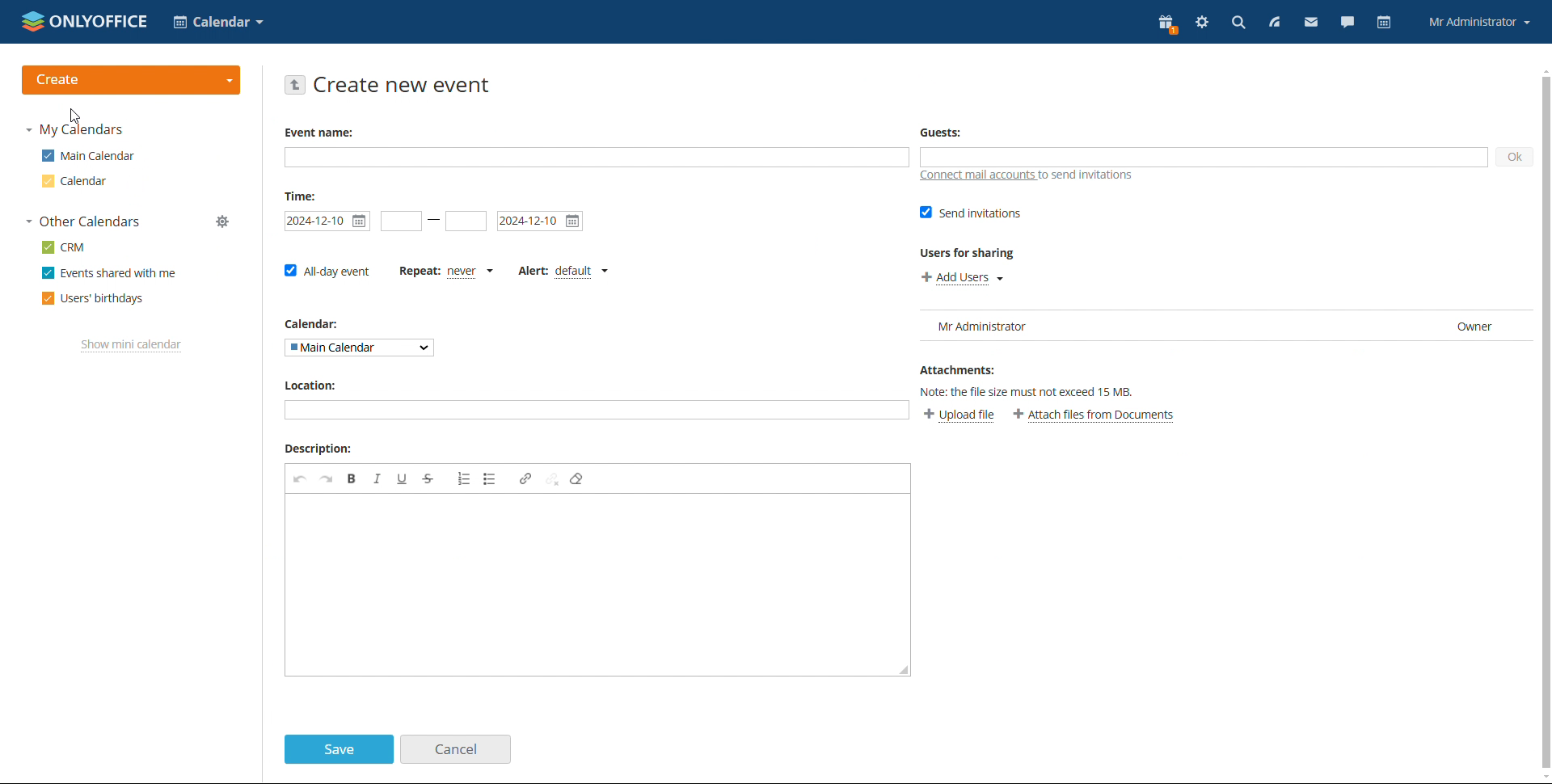 The image size is (1552, 784). What do you see at coordinates (959, 252) in the screenshot?
I see `Users for sharing` at bounding box center [959, 252].